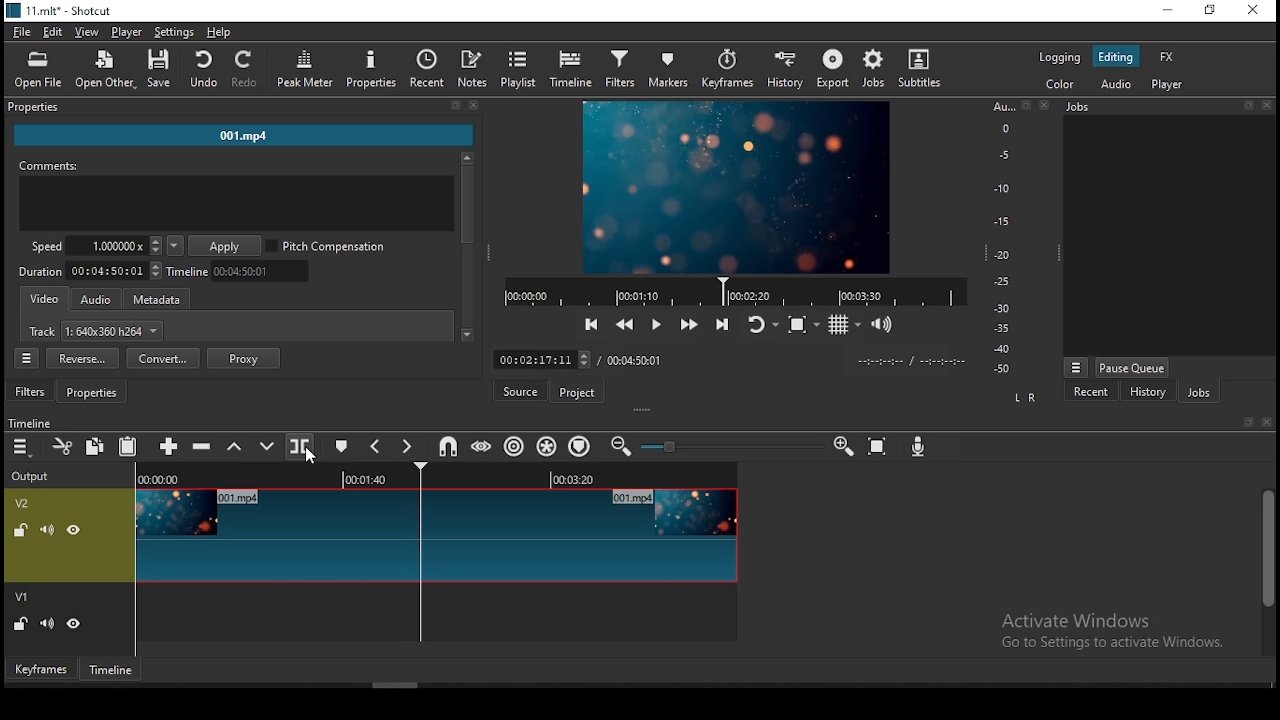 The image size is (1280, 720). Describe the element at coordinates (46, 528) in the screenshot. I see `(UN)MUTE` at that location.